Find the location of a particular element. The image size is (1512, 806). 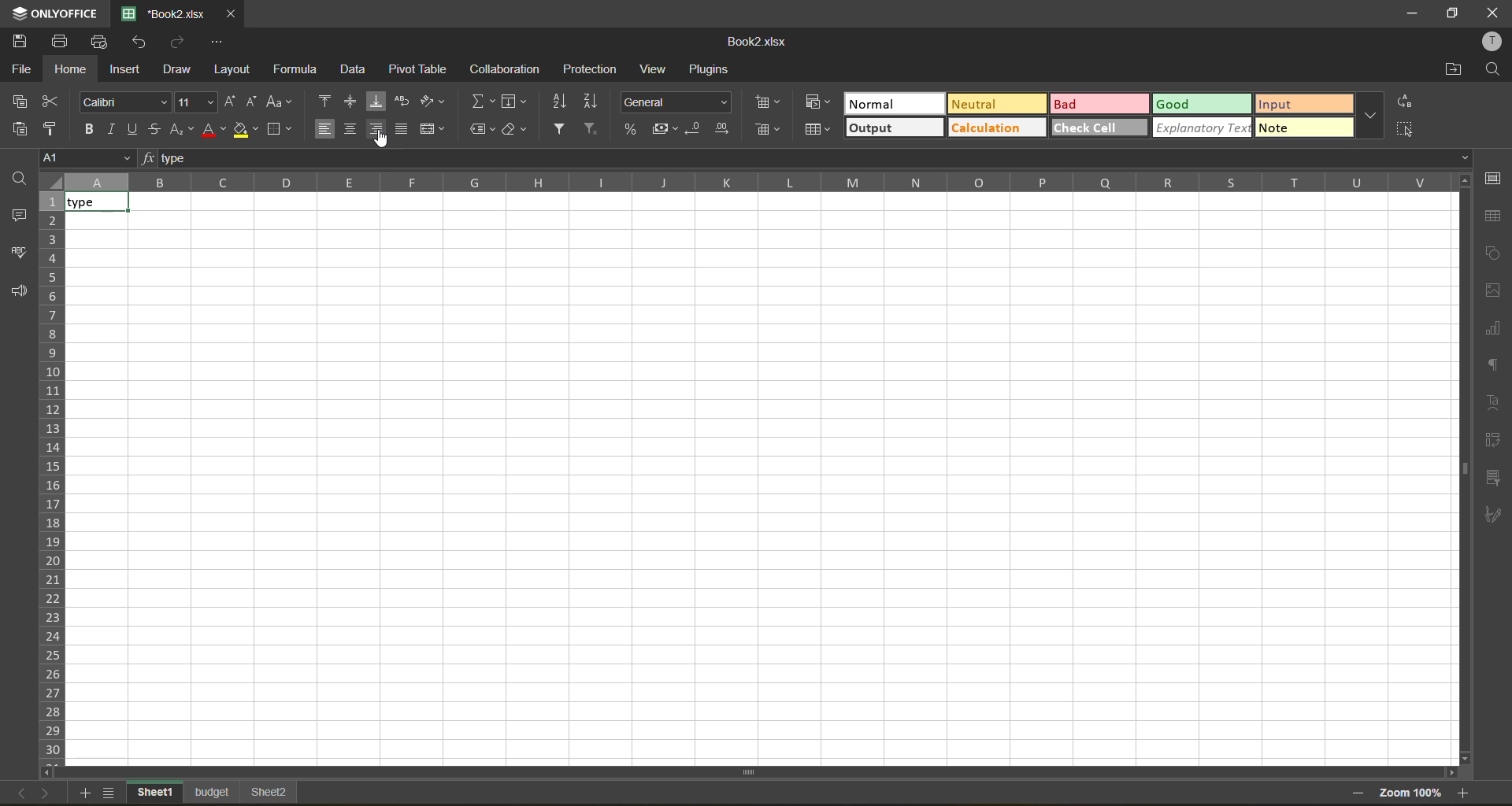

increase decimal is located at coordinates (723, 126).